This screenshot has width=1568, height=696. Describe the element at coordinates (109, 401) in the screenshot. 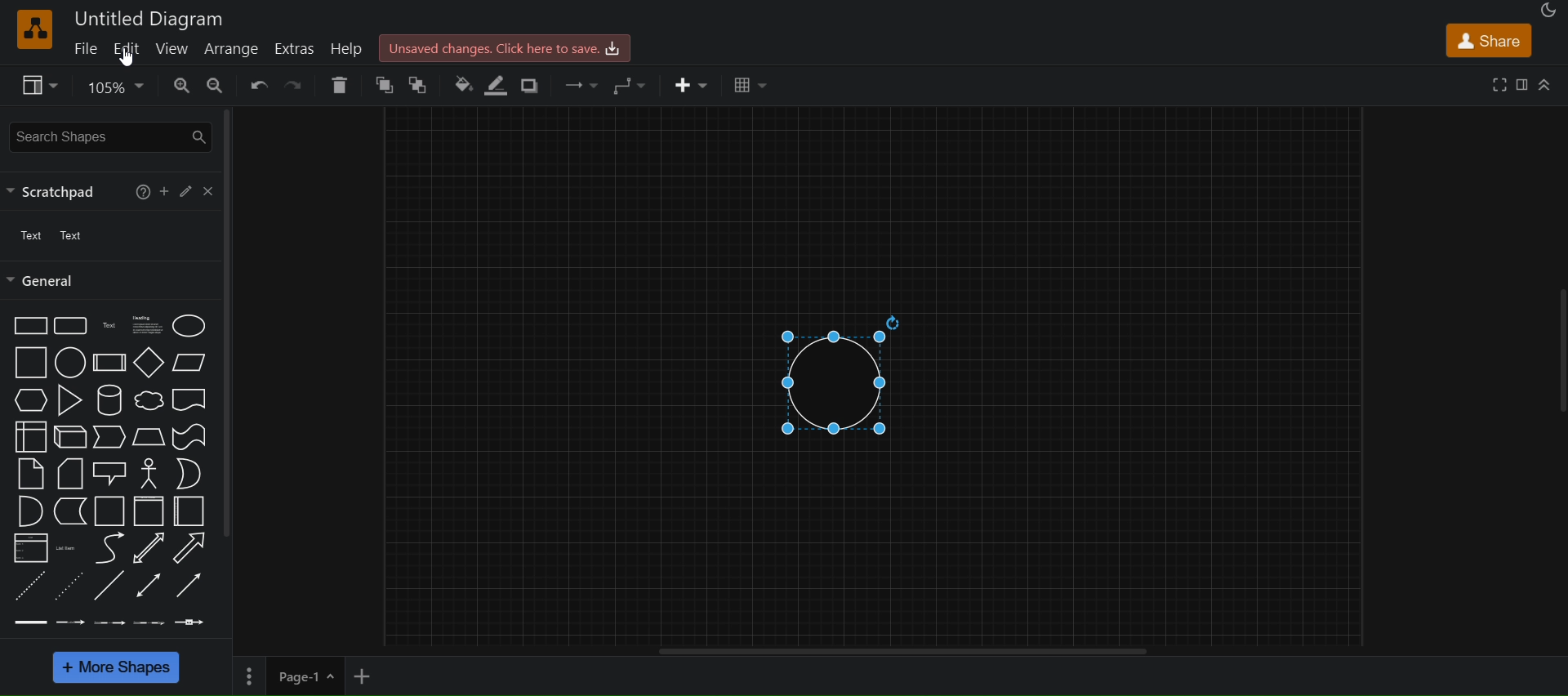

I see `cylinder` at that location.